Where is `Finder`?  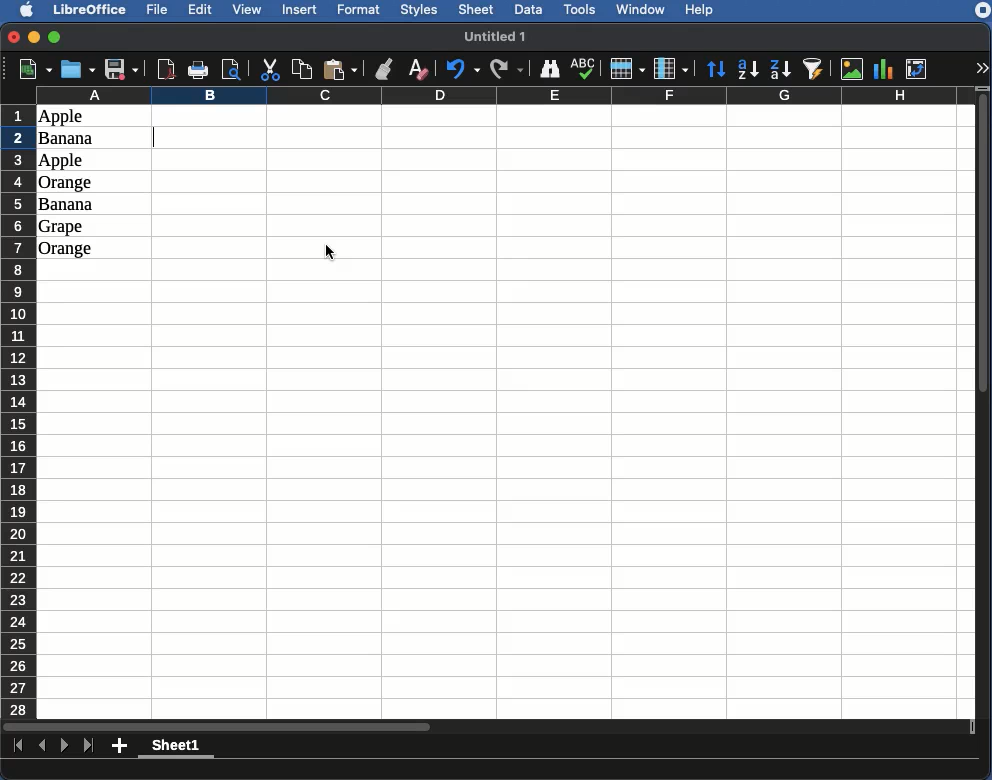 Finder is located at coordinates (551, 70).